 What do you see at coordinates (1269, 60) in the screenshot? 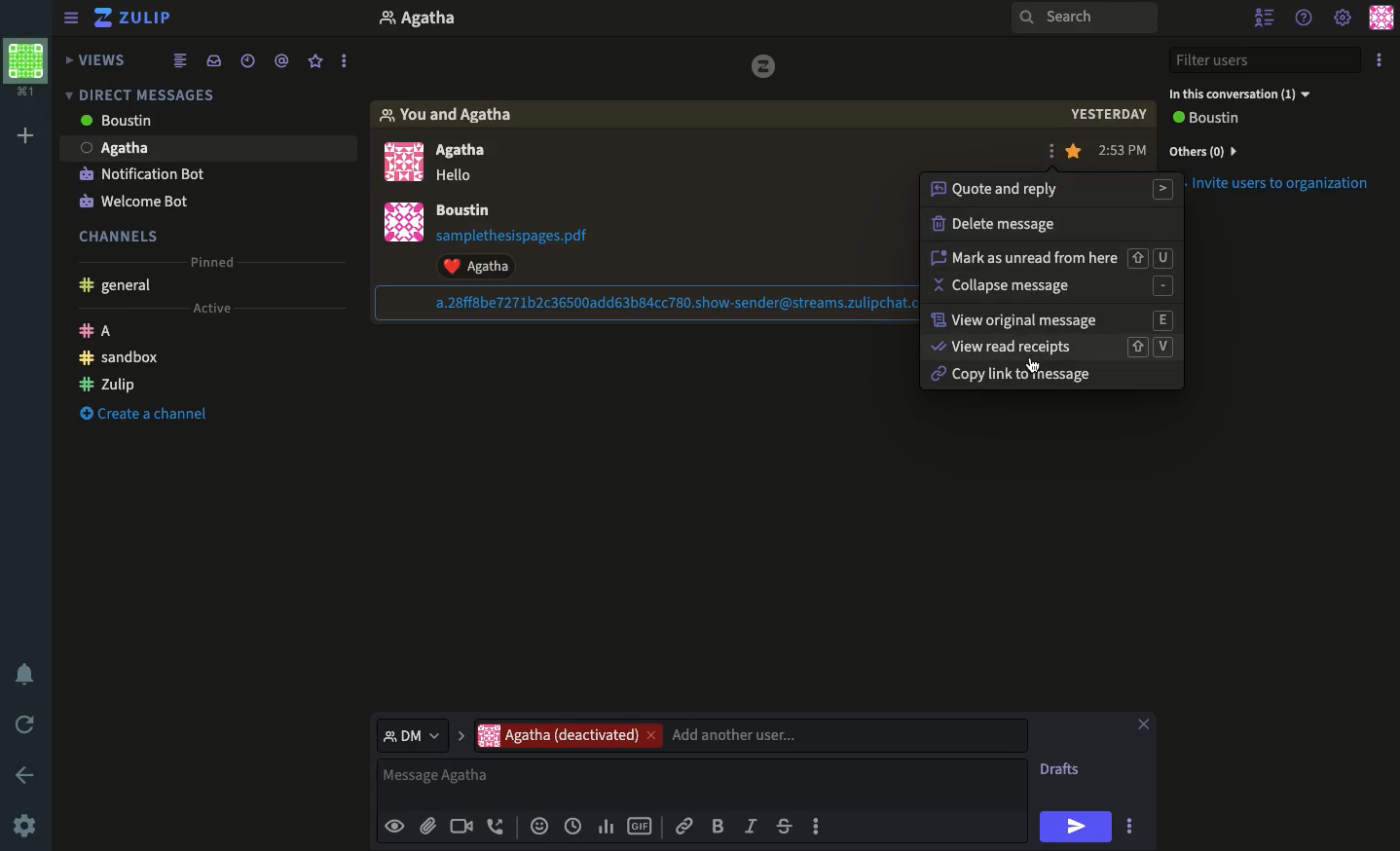
I see `Filter user` at bounding box center [1269, 60].